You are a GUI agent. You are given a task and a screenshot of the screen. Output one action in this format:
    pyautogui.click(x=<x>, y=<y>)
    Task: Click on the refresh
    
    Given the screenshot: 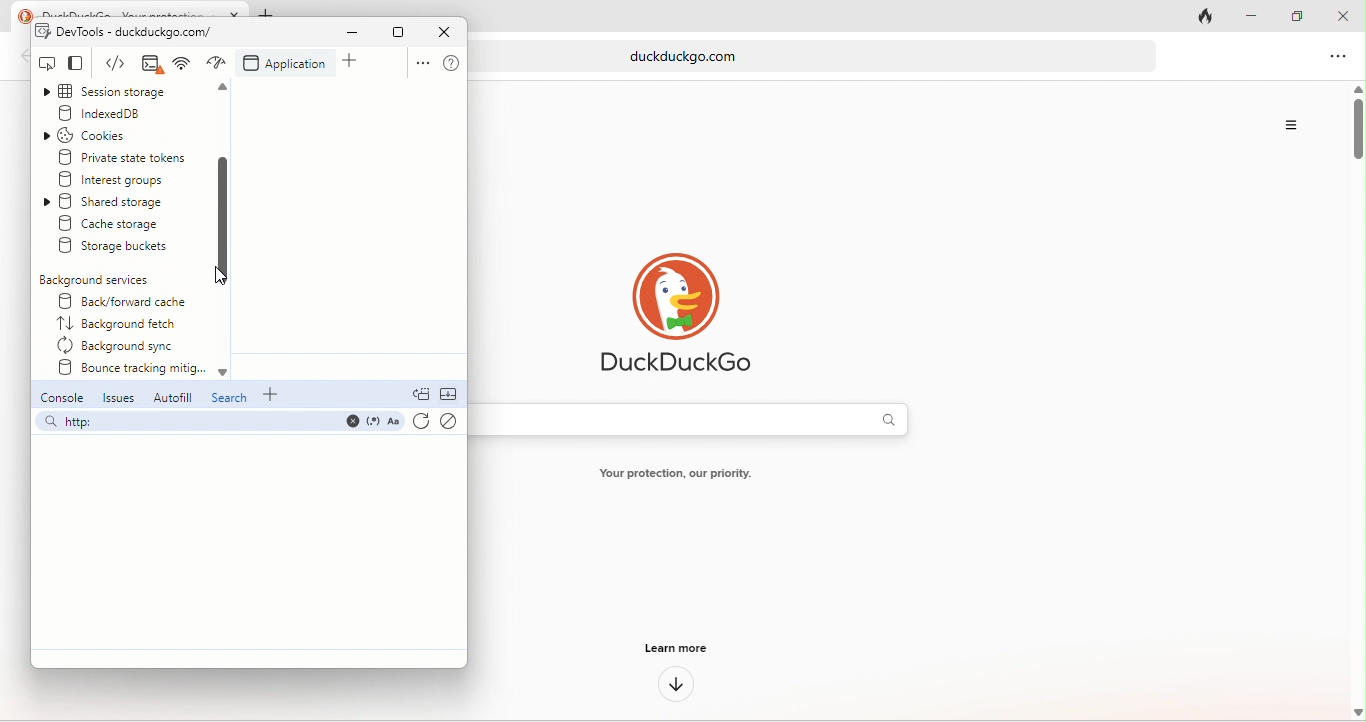 What is the action you would take?
    pyautogui.click(x=421, y=424)
    